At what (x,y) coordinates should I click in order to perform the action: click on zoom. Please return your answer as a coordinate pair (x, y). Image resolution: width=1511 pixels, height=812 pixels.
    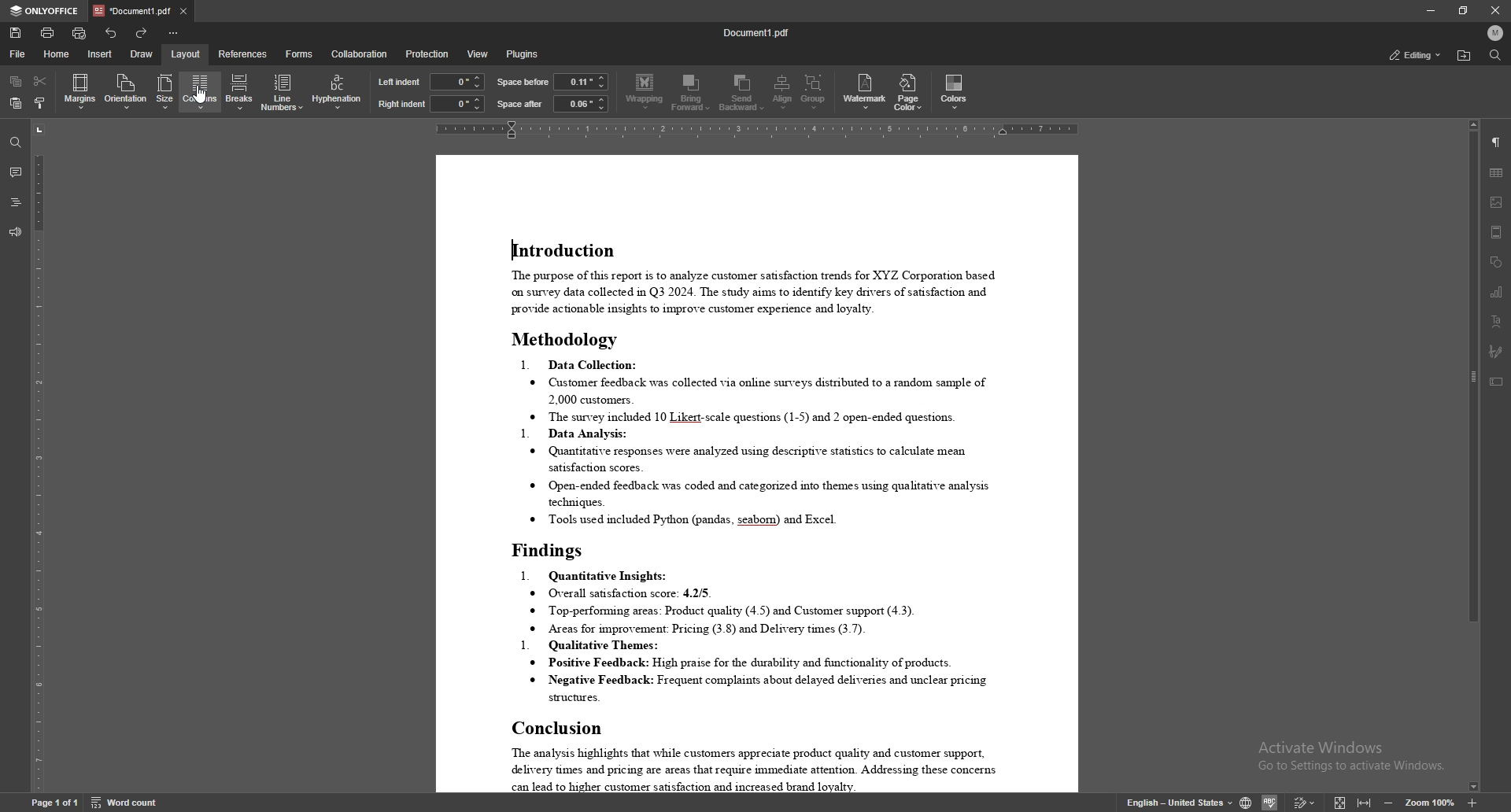
    Looking at the image, I should click on (1431, 801).